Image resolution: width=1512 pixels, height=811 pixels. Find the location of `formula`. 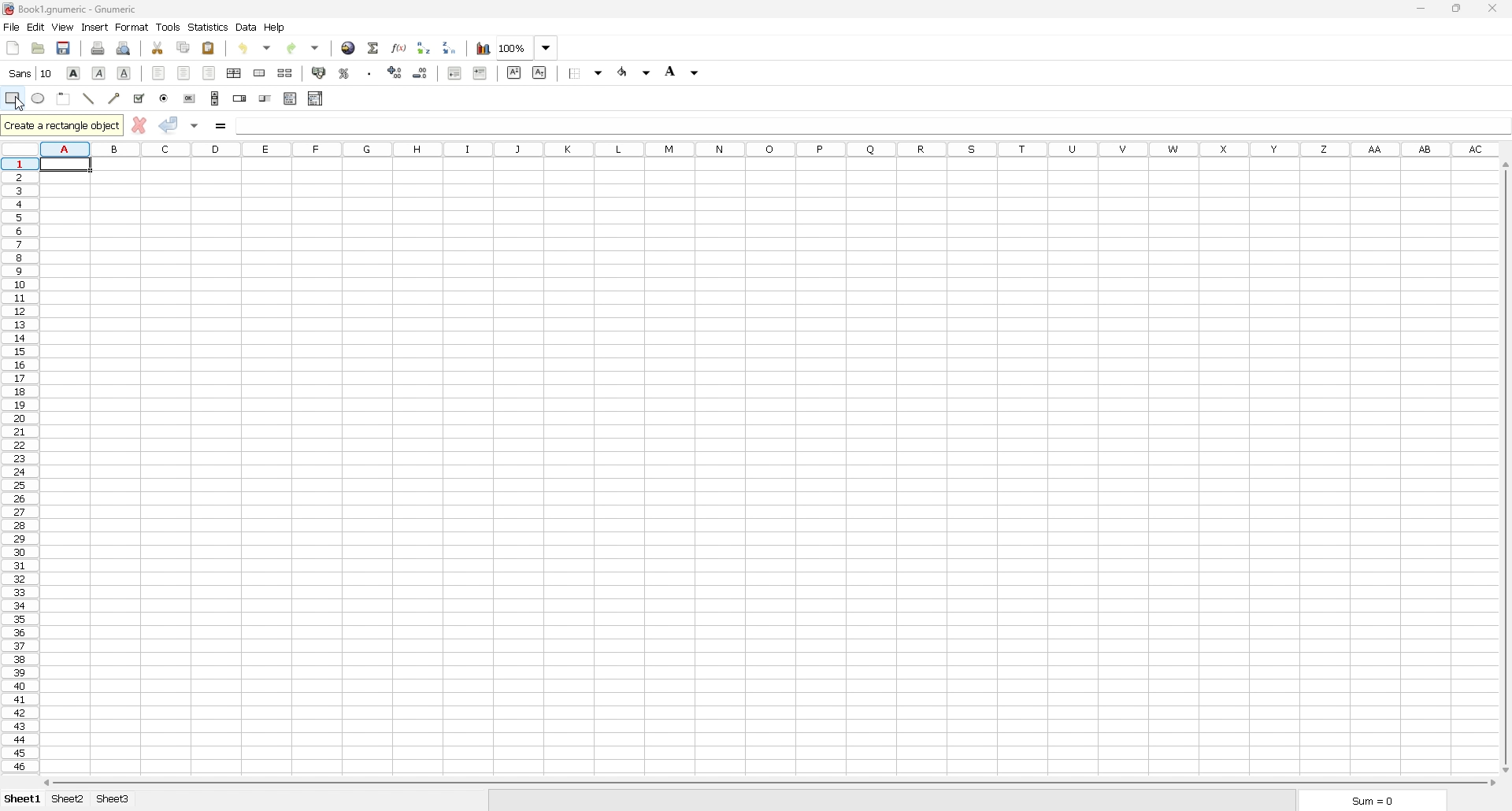

formula is located at coordinates (222, 125).